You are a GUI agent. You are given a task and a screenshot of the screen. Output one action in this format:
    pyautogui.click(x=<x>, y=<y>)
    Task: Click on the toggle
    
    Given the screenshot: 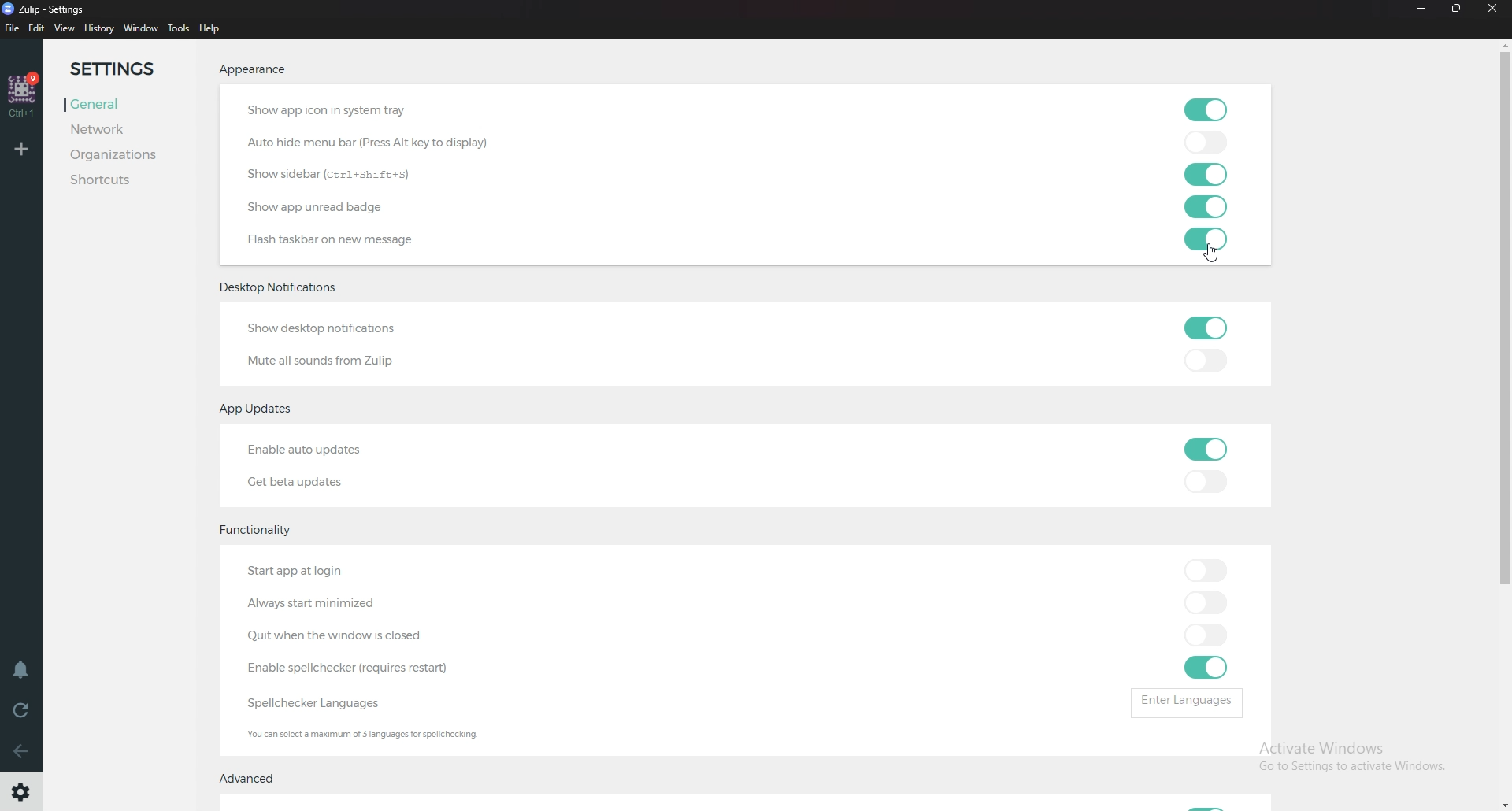 What is the action you would take?
    pyautogui.click(x=1203, y=364)
    